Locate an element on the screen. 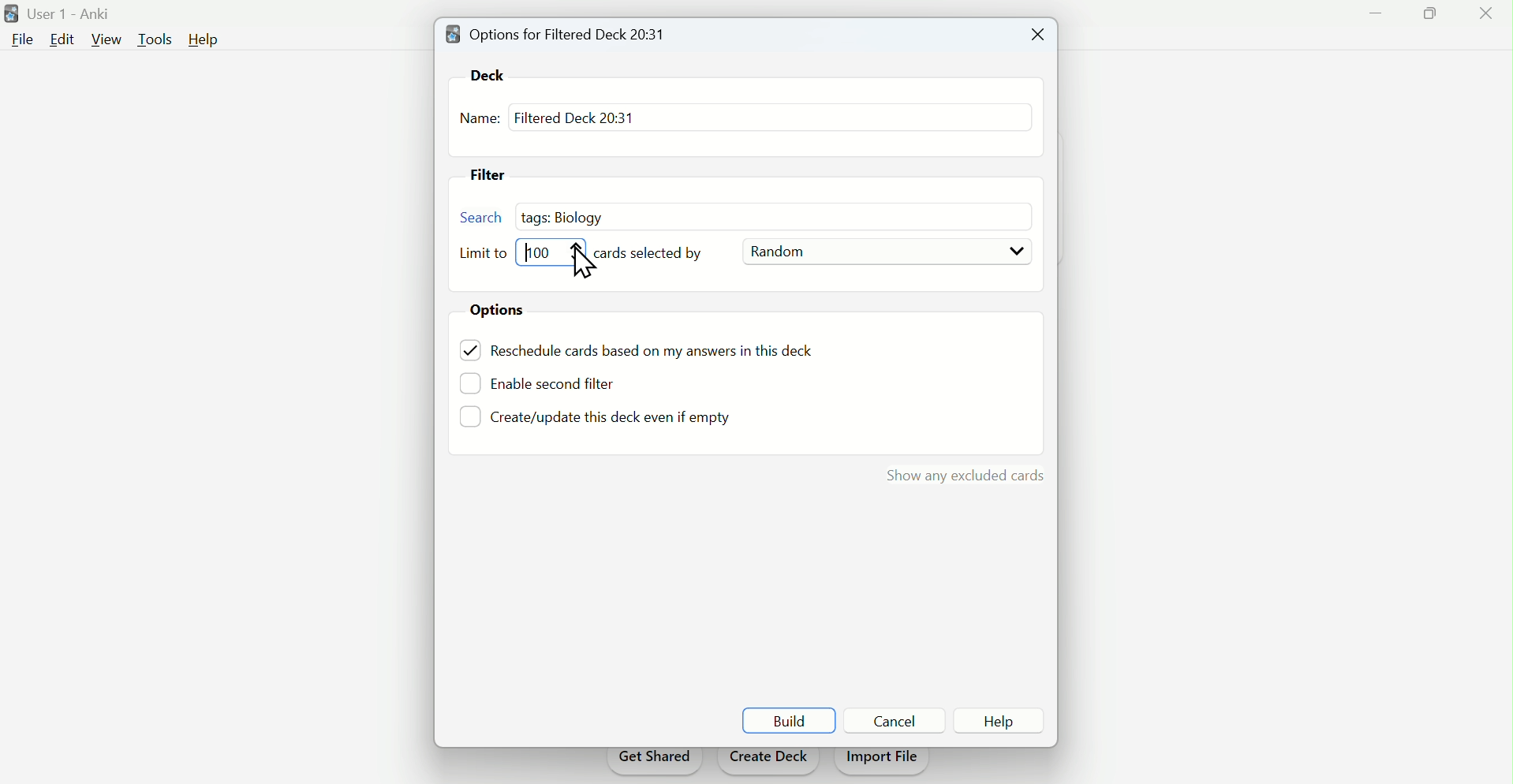 This screenshot has width=1513, height=784.  is located at coordinates (898, 720).